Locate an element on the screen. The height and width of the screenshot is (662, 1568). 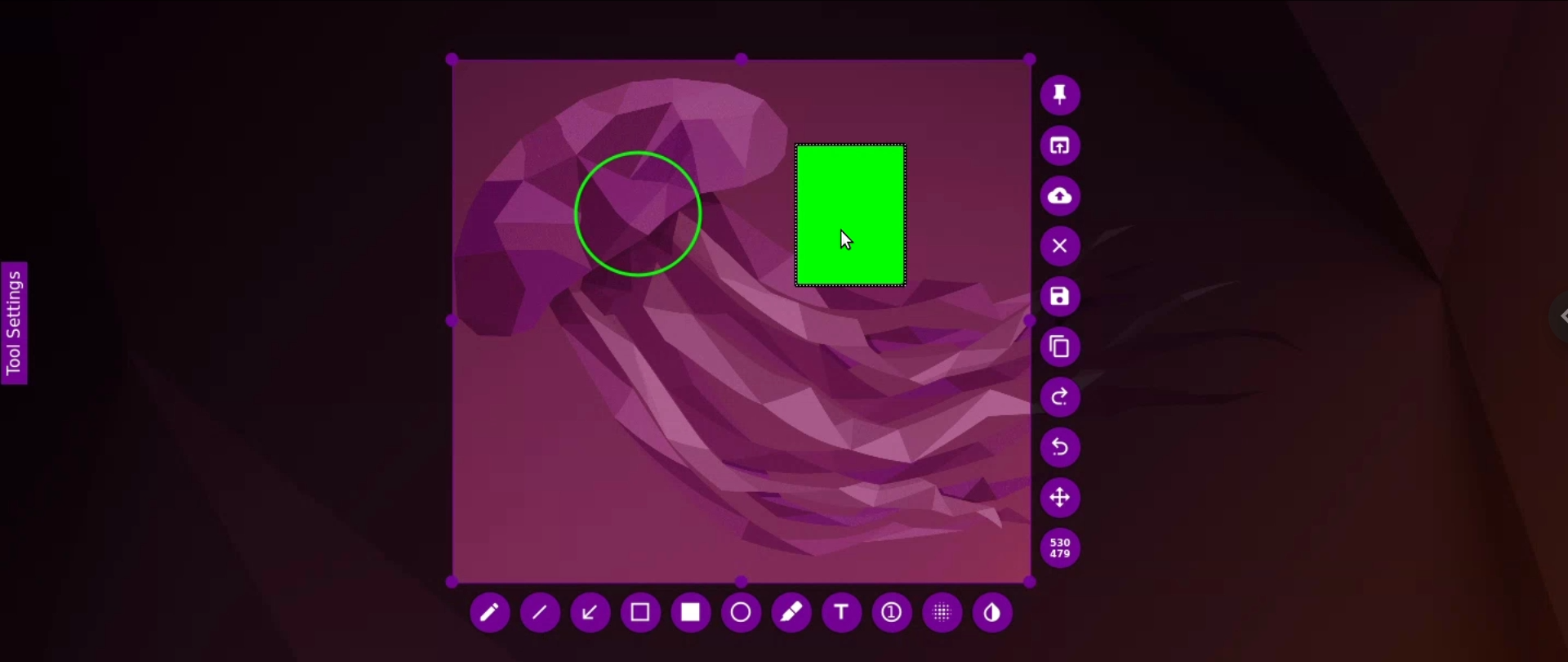
rectangle drawing  is located at coordinates (853, 216).